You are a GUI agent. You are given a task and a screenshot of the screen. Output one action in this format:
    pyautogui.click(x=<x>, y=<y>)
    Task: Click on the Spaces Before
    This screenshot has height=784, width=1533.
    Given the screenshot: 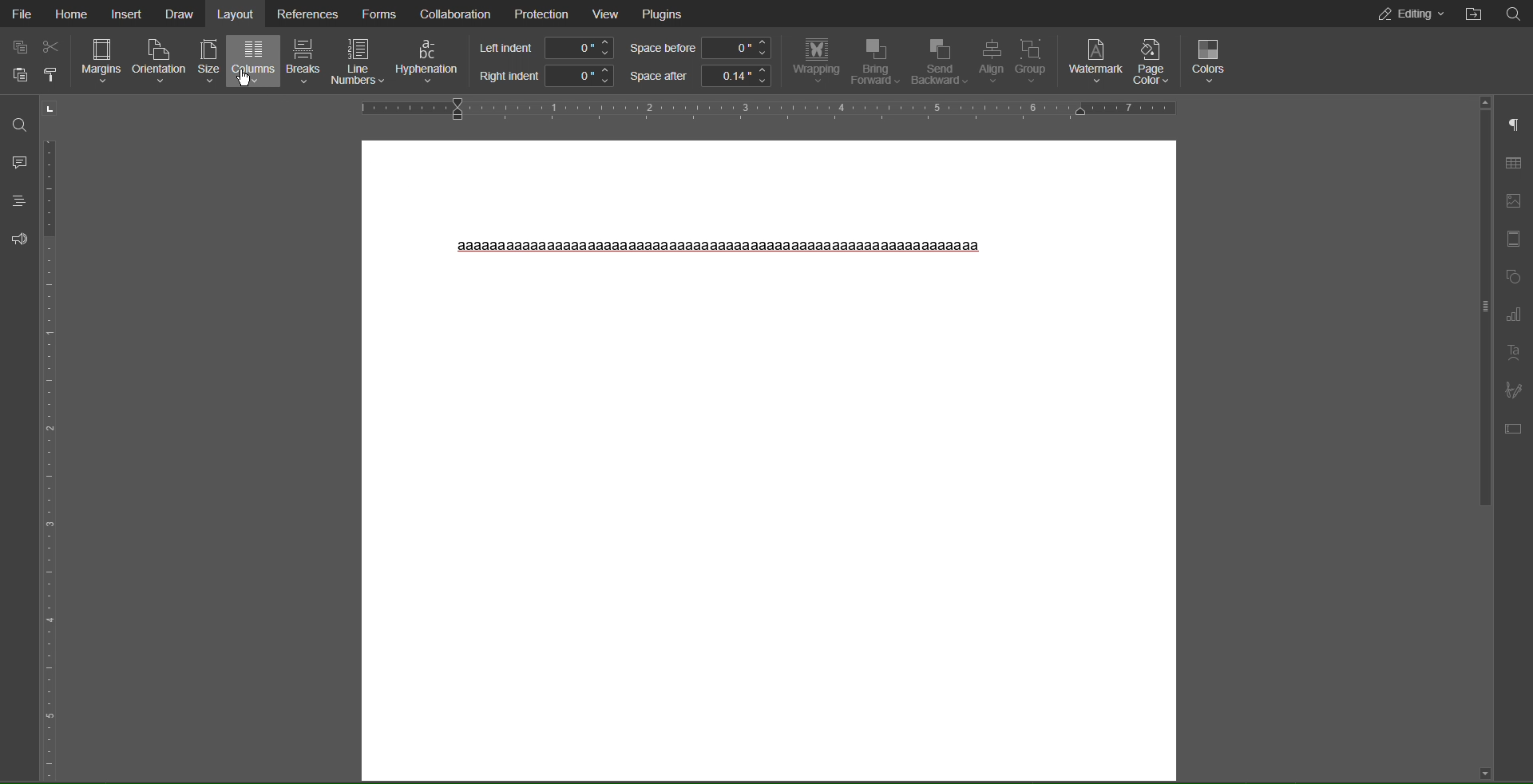 What is the action you would take?
    pyautogui.click(x=700, y=49)
    